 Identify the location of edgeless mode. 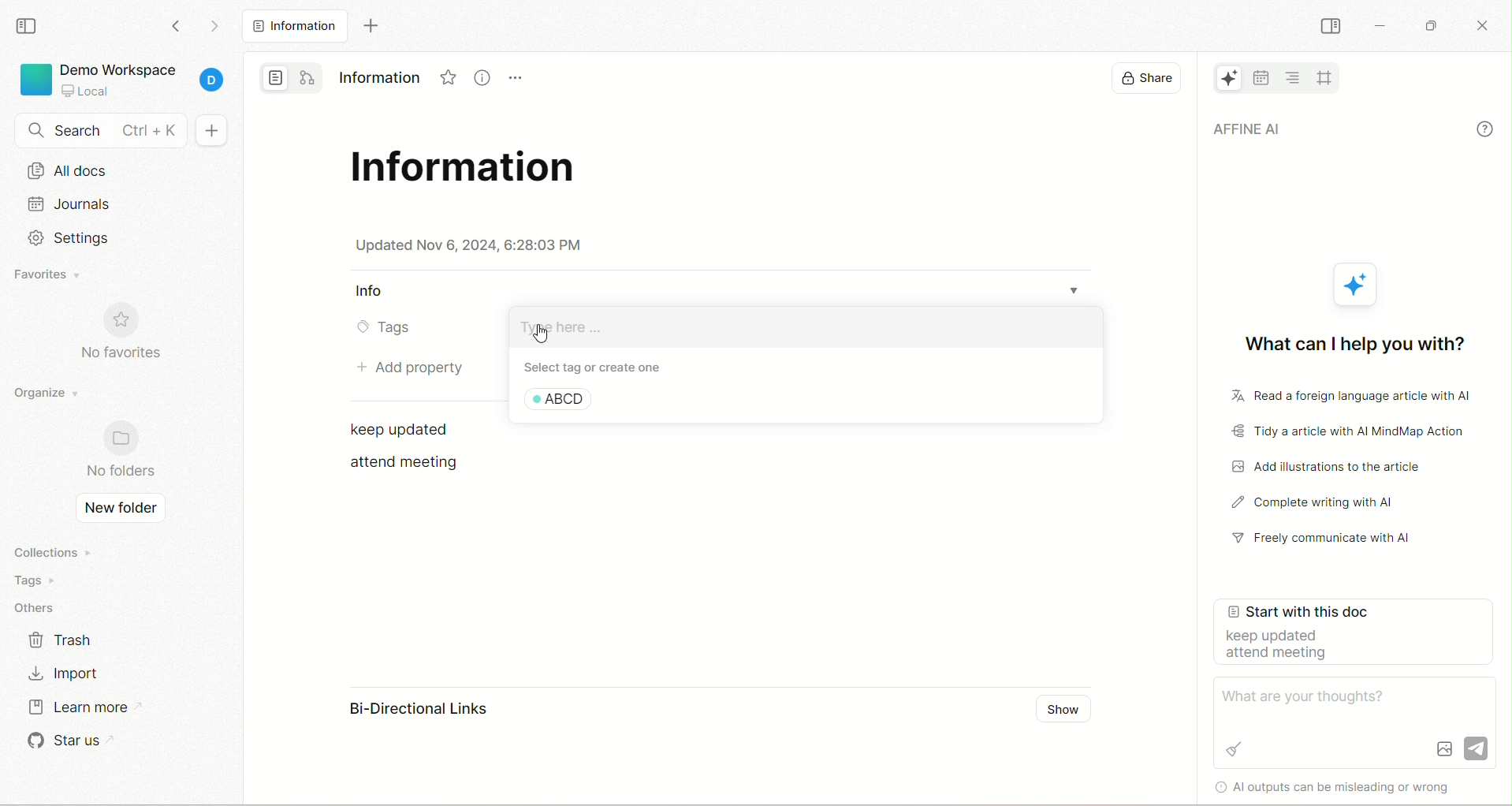
(310, 78).